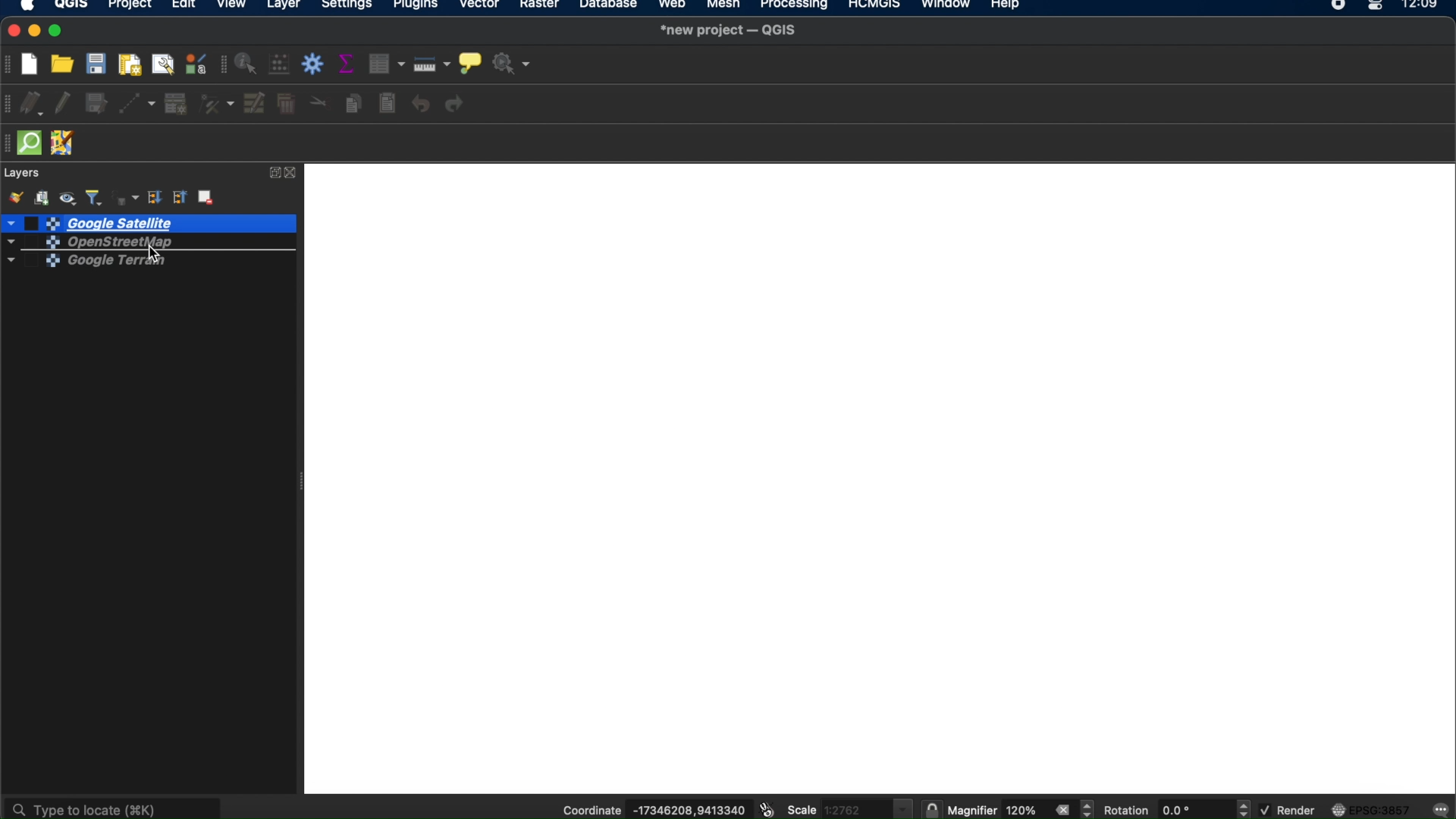 The width and height of the screenshot is (1456, 819). What do you see at coordinates (9, 105) in the screenshot?
I see `digitizing toolbar` at bounding box center [9, 105].